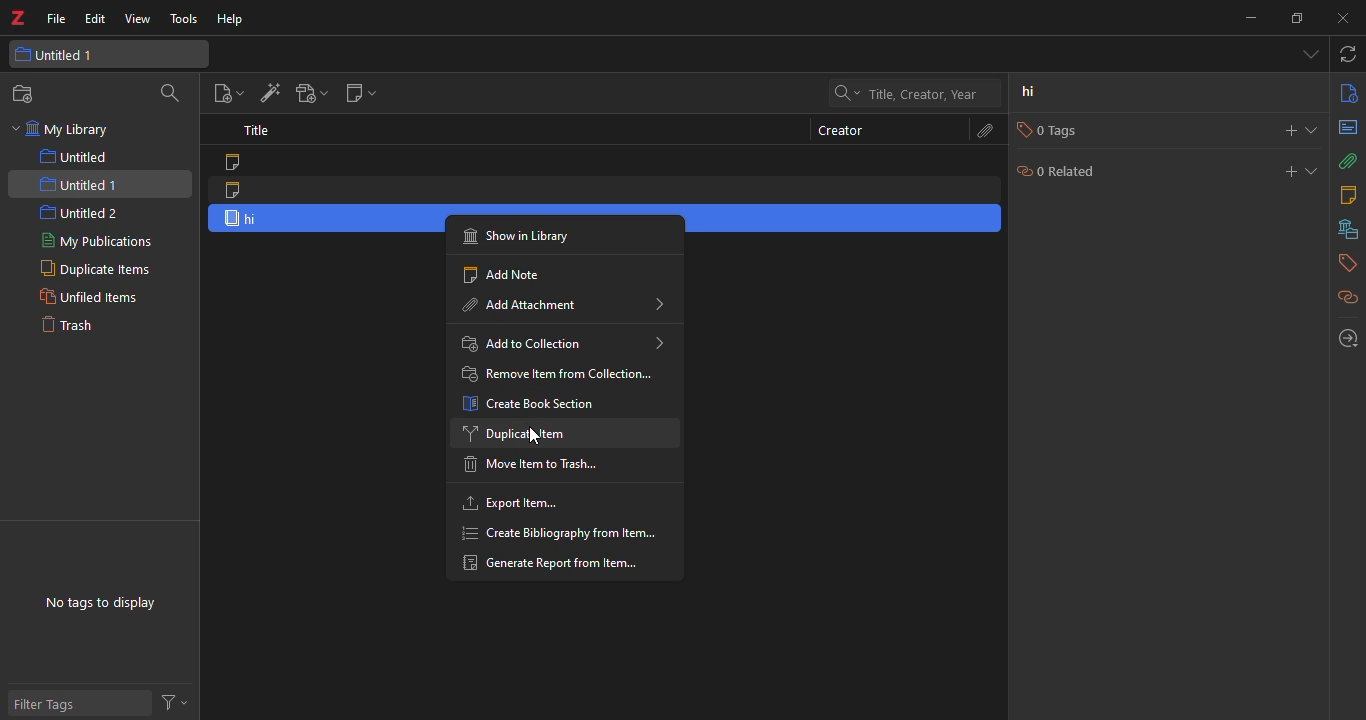  What do you see at coordinates (1345, 16) in the screenshot?
I see `close` at bounding box center [1345, 16].